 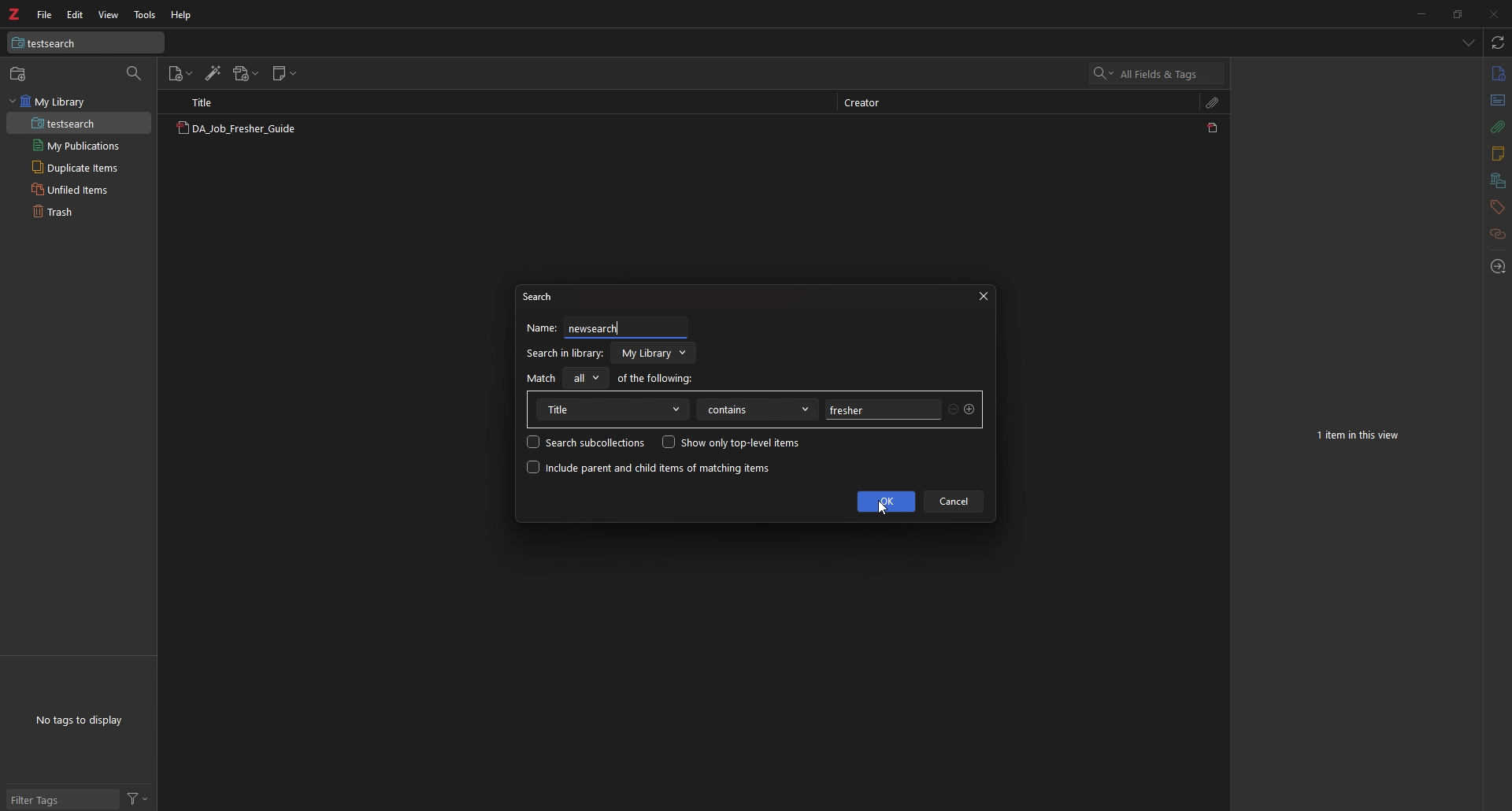 I want to click on Filter, so click(x=138, y=798).